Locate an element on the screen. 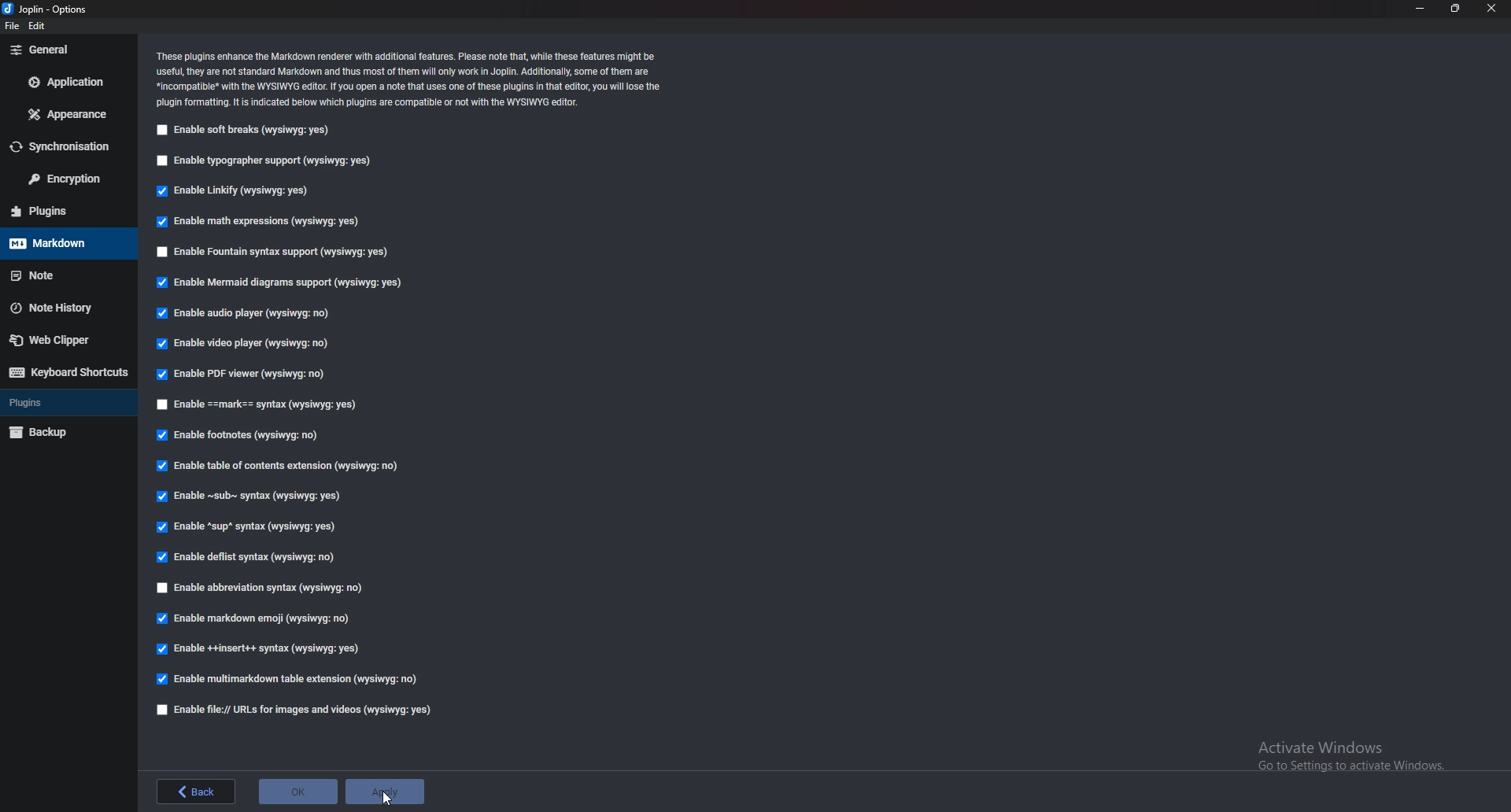  Plugins is located at coordinates (62, 404).